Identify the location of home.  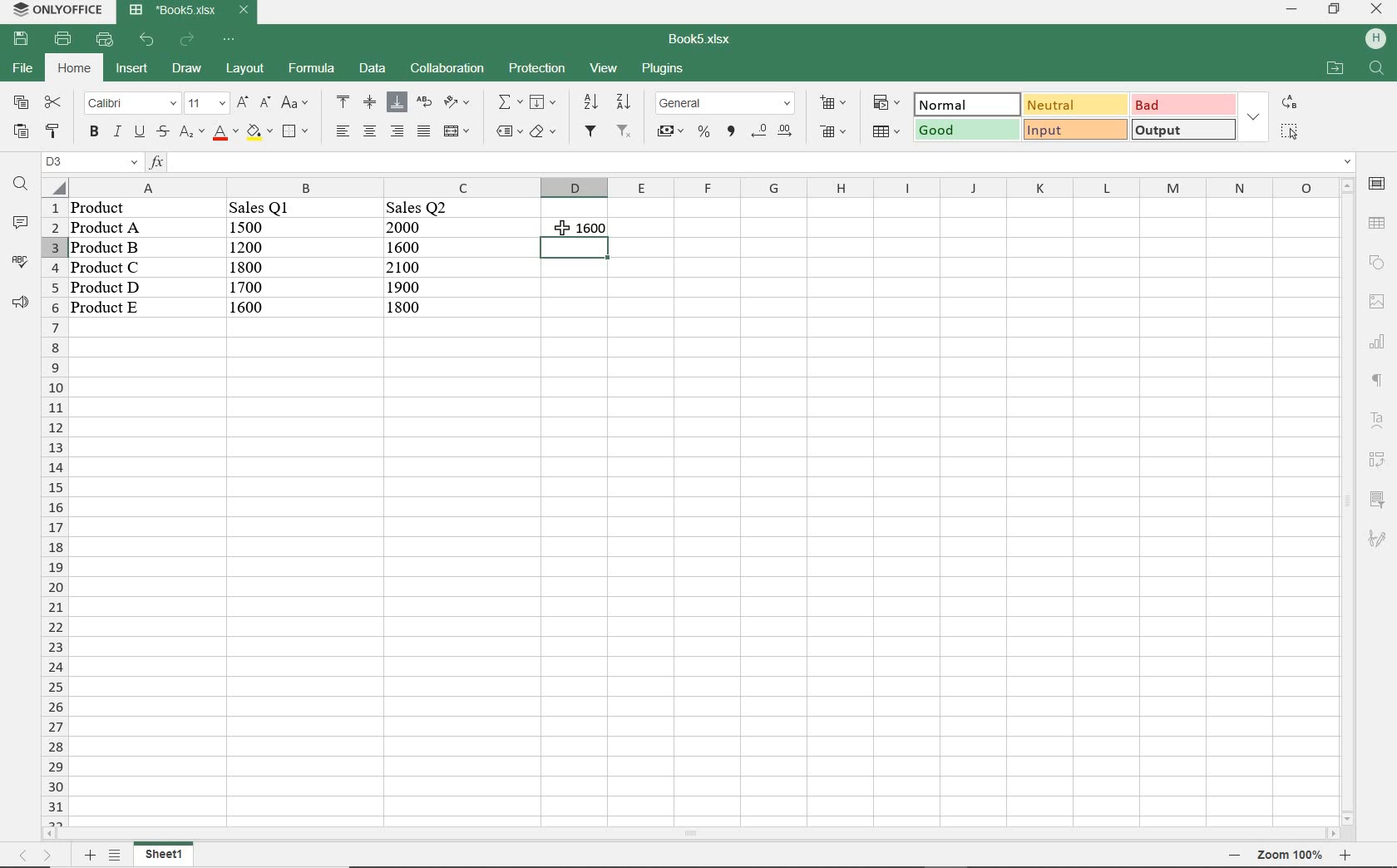
(76, 70).